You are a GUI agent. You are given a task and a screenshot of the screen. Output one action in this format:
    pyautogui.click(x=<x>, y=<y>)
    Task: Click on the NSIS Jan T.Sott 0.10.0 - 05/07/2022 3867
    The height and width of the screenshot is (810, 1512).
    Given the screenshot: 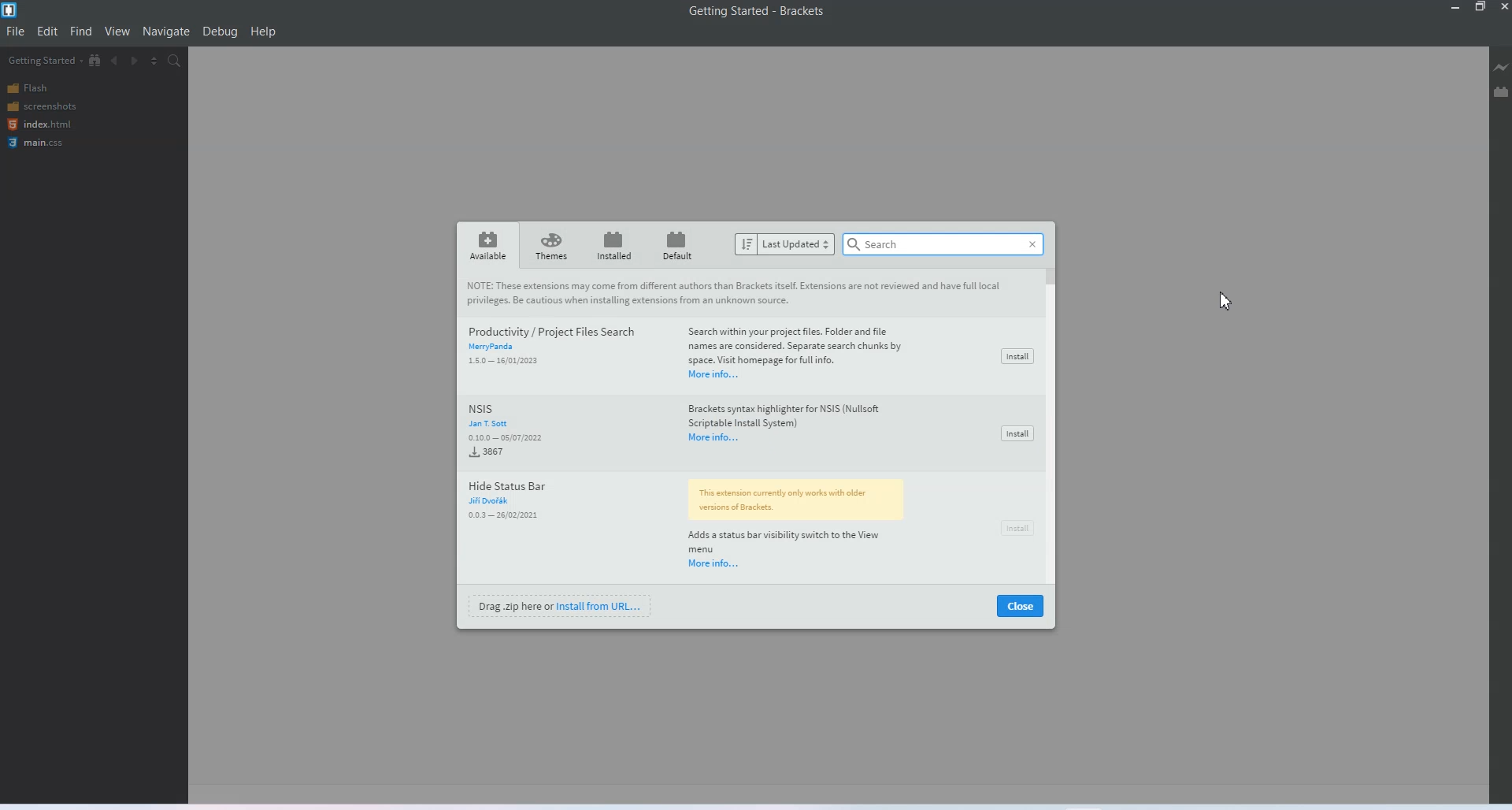 What is the action you would take?
    pyautogui.click(x=507, y=428)
    